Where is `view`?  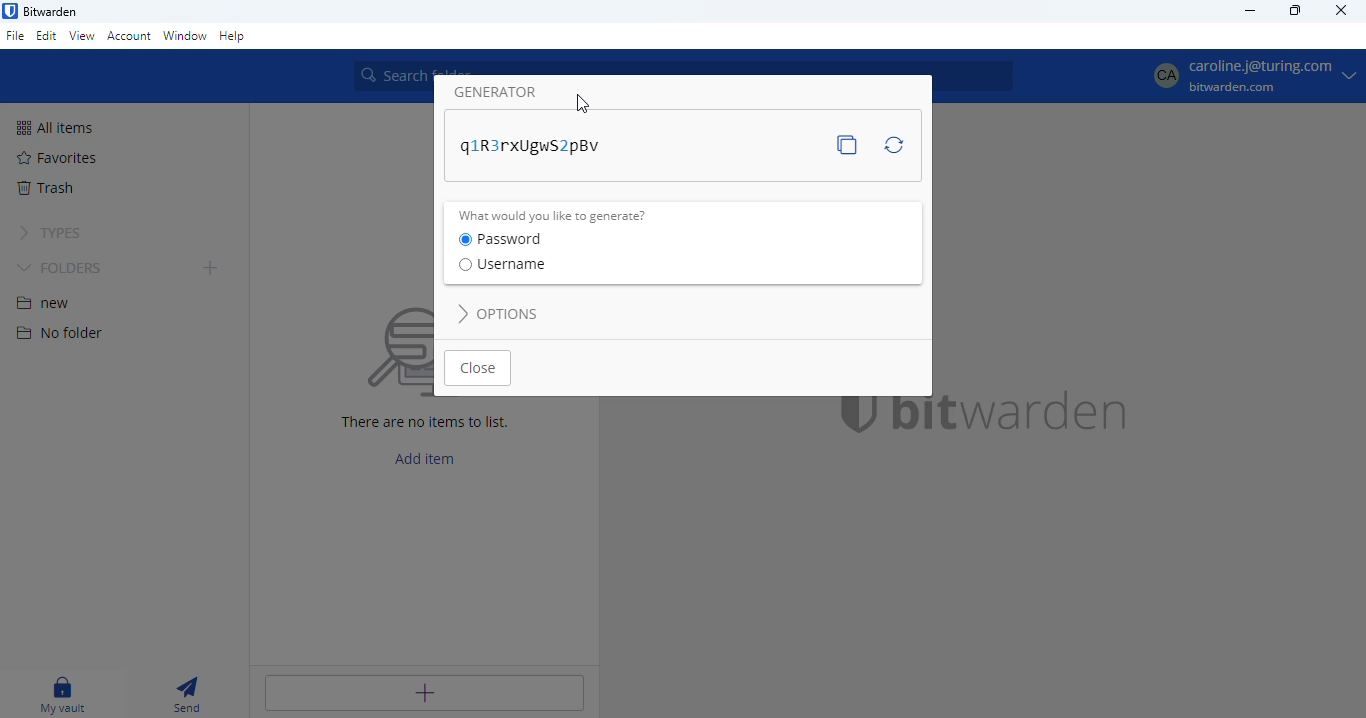 view is located at coordinates (82, 35).